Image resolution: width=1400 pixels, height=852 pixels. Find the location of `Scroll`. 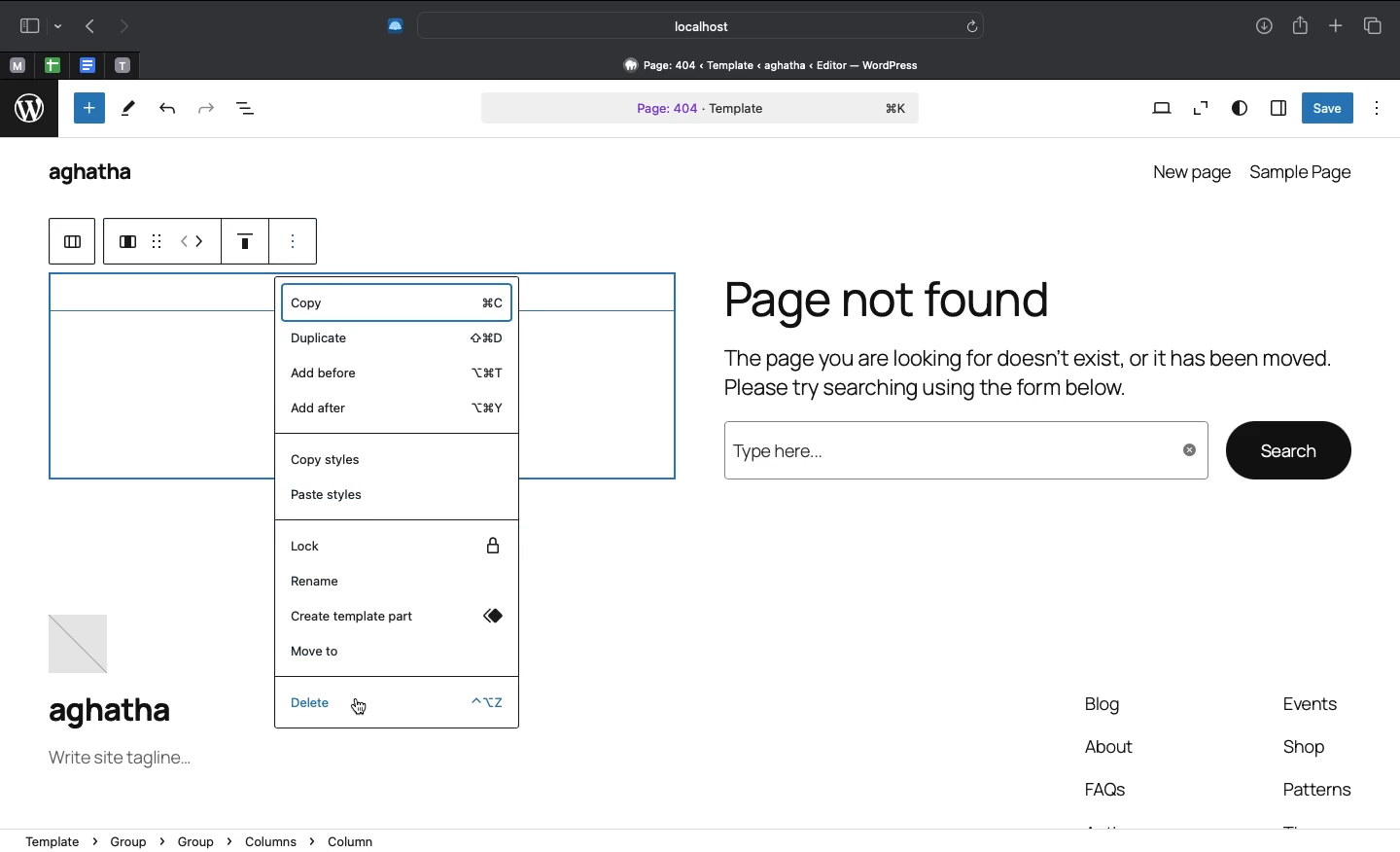

Scroll is located at coordinates (1391, 333).